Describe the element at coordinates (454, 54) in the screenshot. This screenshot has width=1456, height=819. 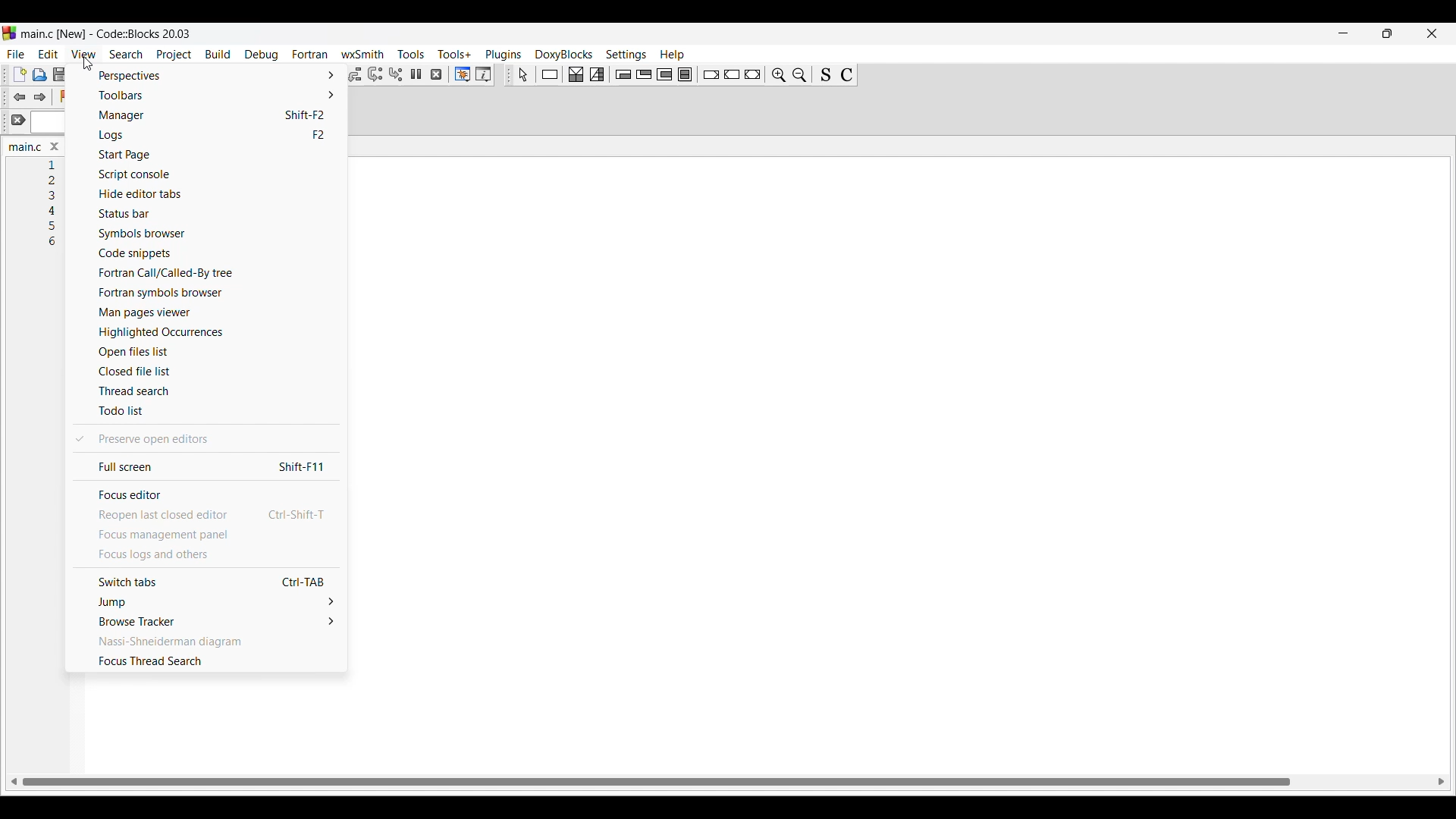
I see `Tools+ menu` at that location.